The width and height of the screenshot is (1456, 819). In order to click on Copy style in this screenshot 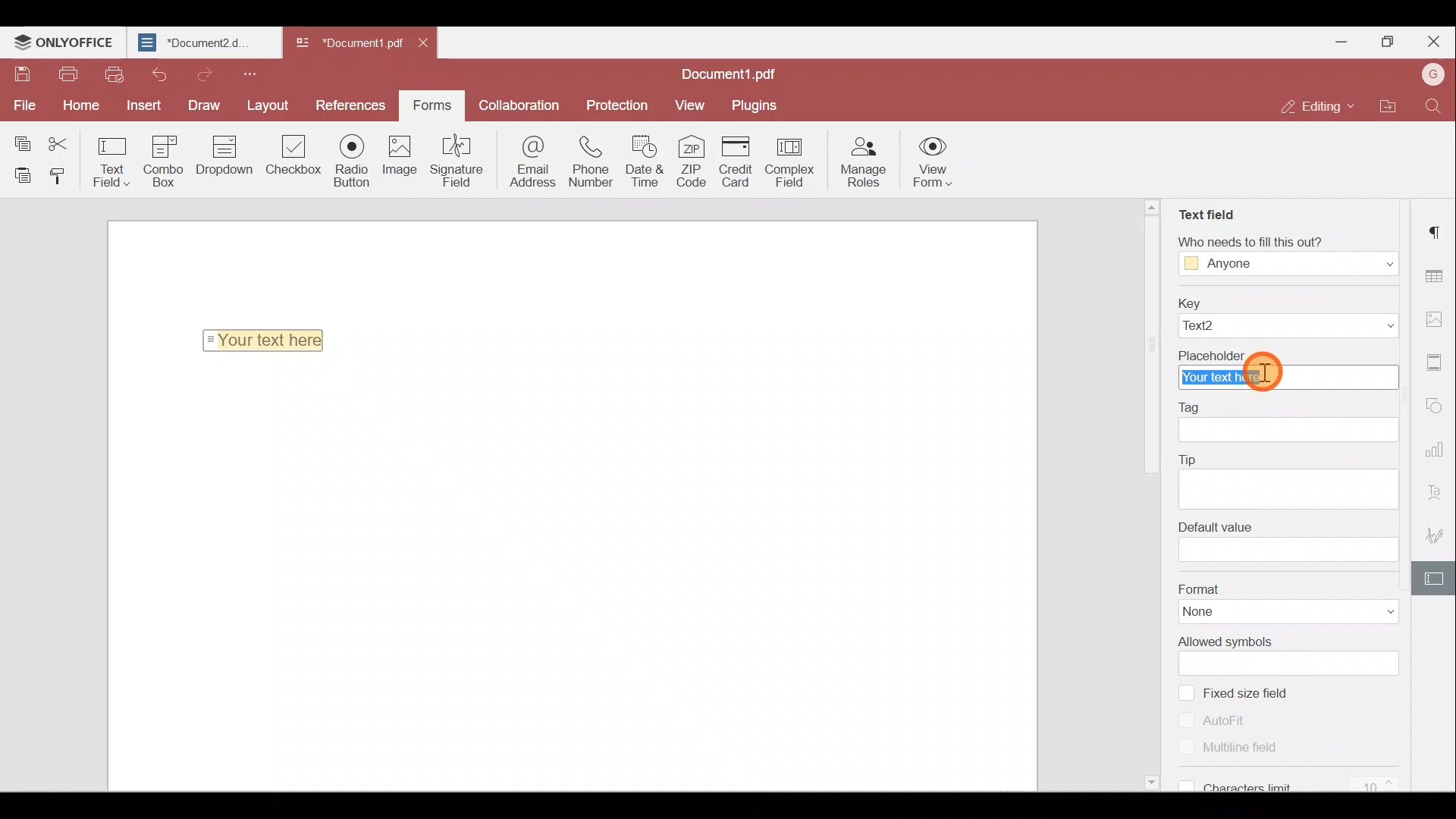, I will do `click(59, 178)`.